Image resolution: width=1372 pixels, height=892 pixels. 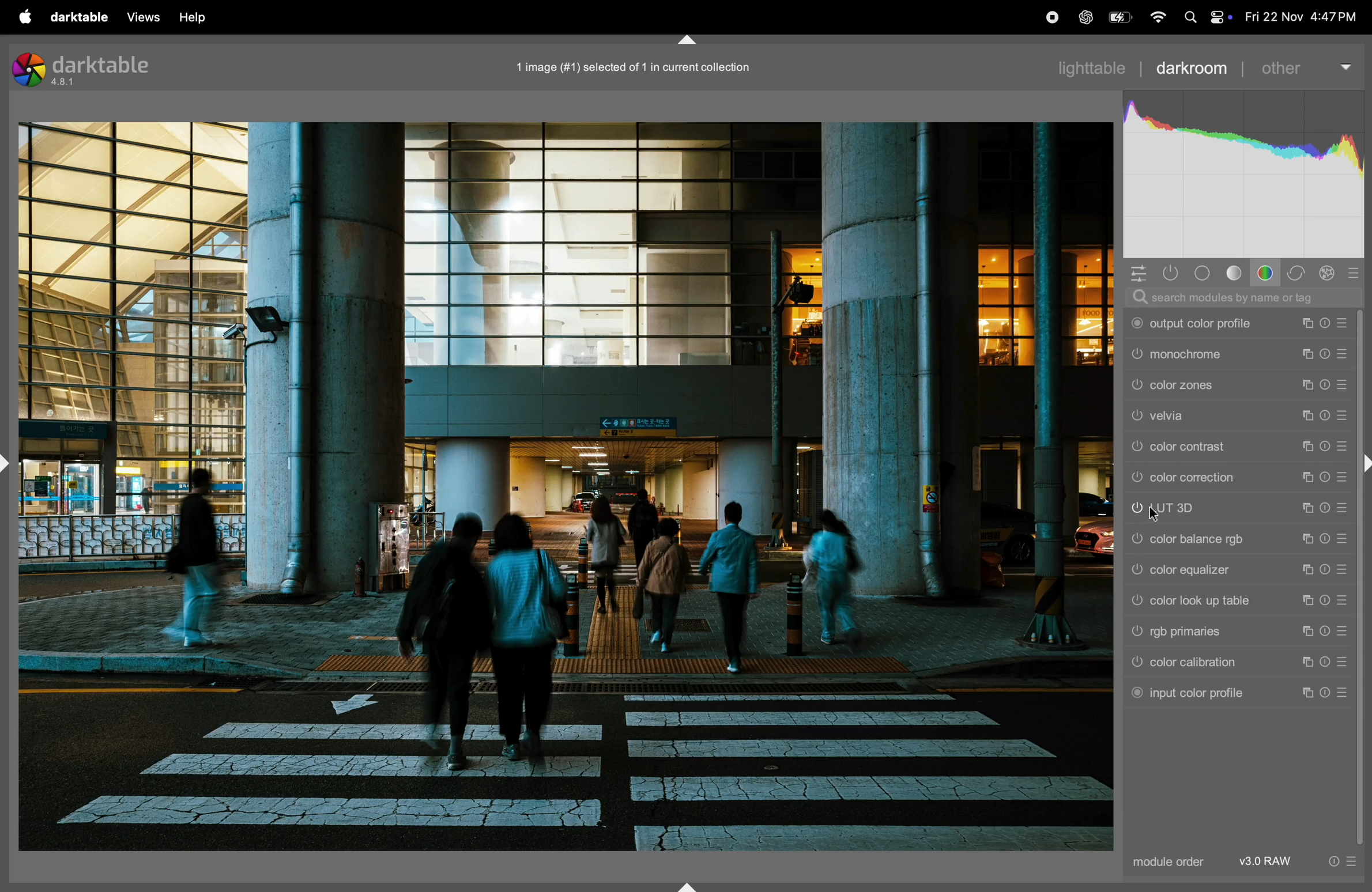 What do you see at coordinates (1326, 415) in the screenshot?
I see `reset` at bounding box center [1326, 415].